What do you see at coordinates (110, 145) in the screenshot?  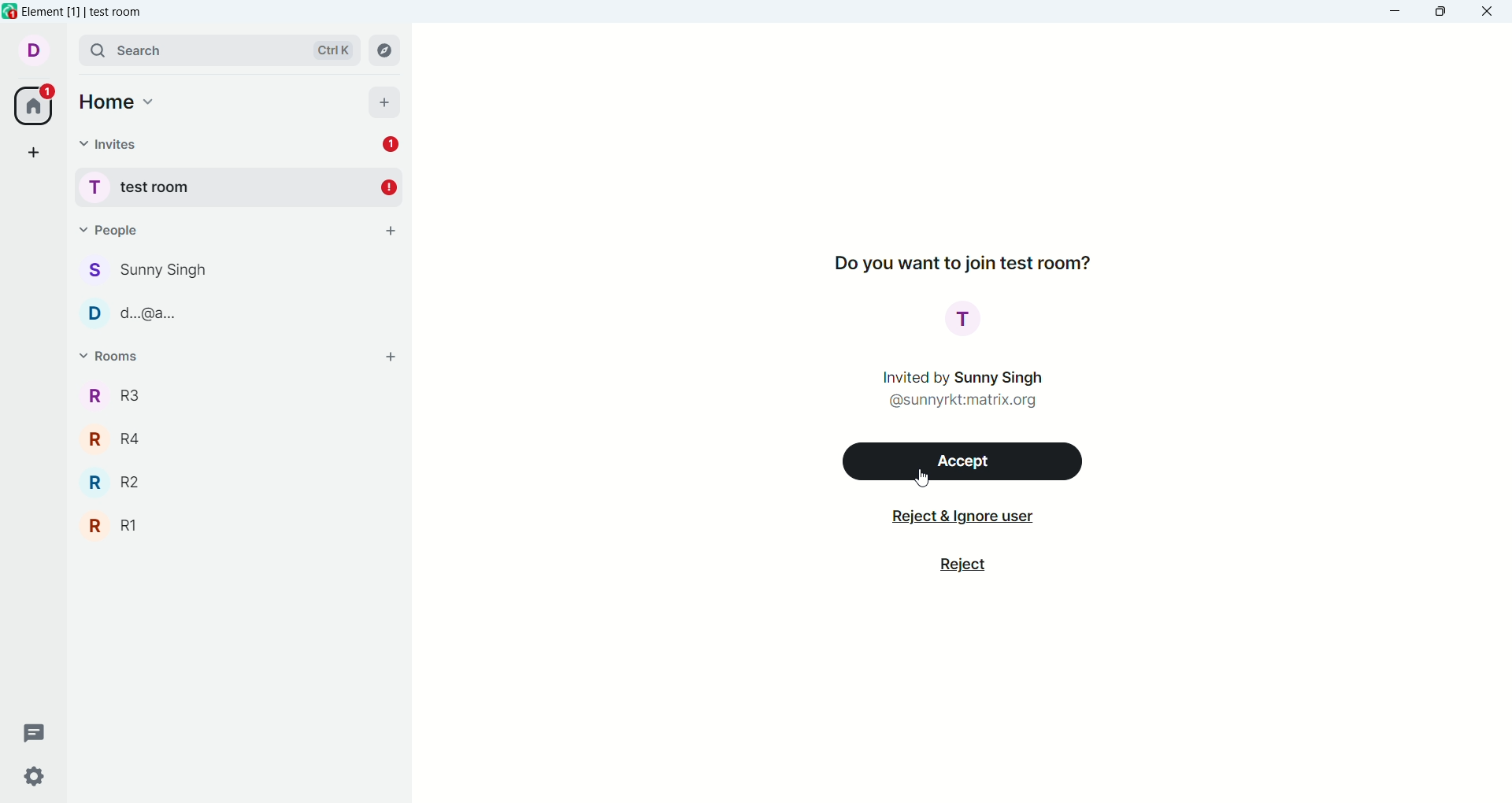 I see `invite` at bounding box center [110, 145].